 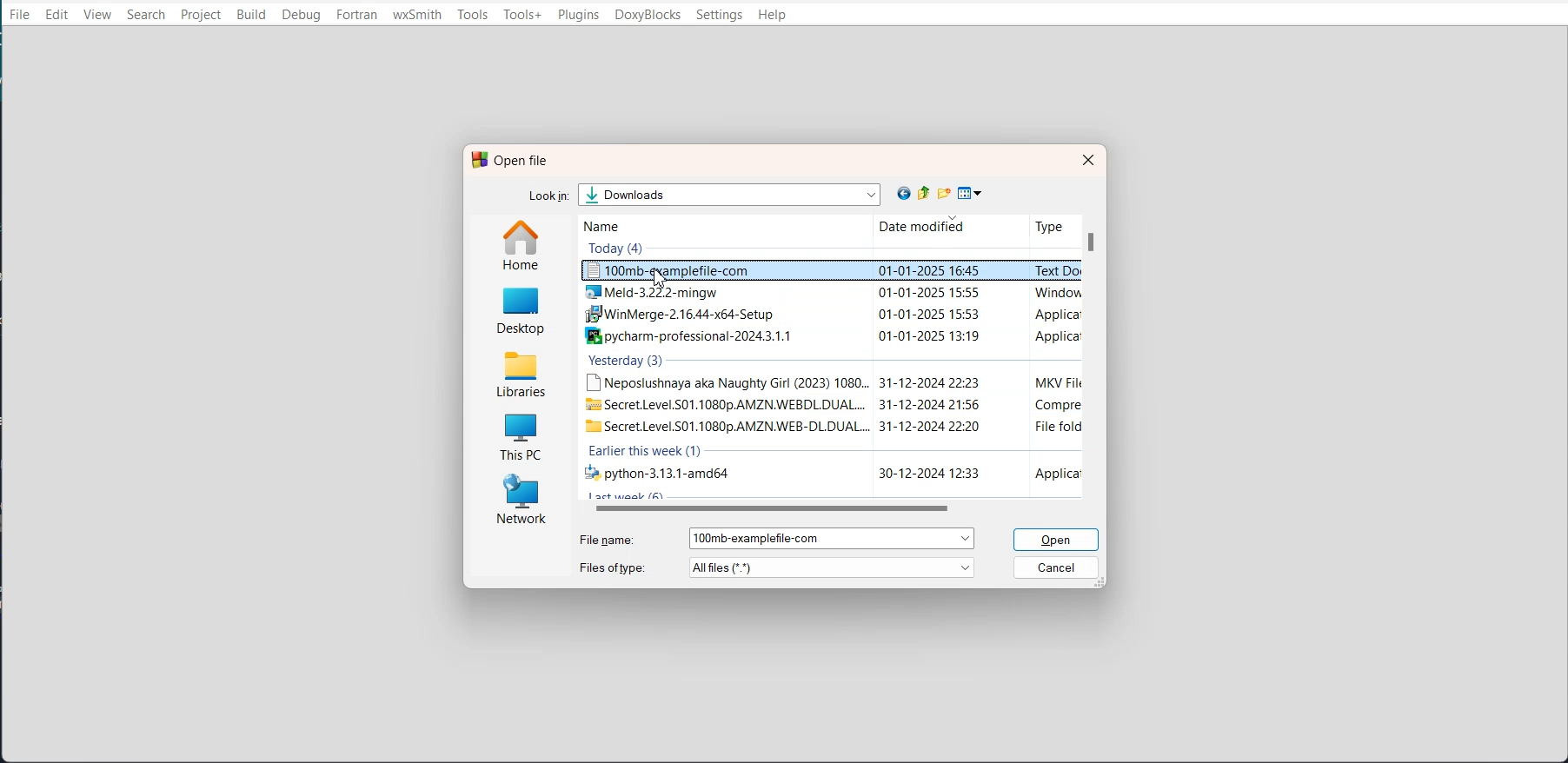 I want to click on Plugins, so click(x=578, y=15).